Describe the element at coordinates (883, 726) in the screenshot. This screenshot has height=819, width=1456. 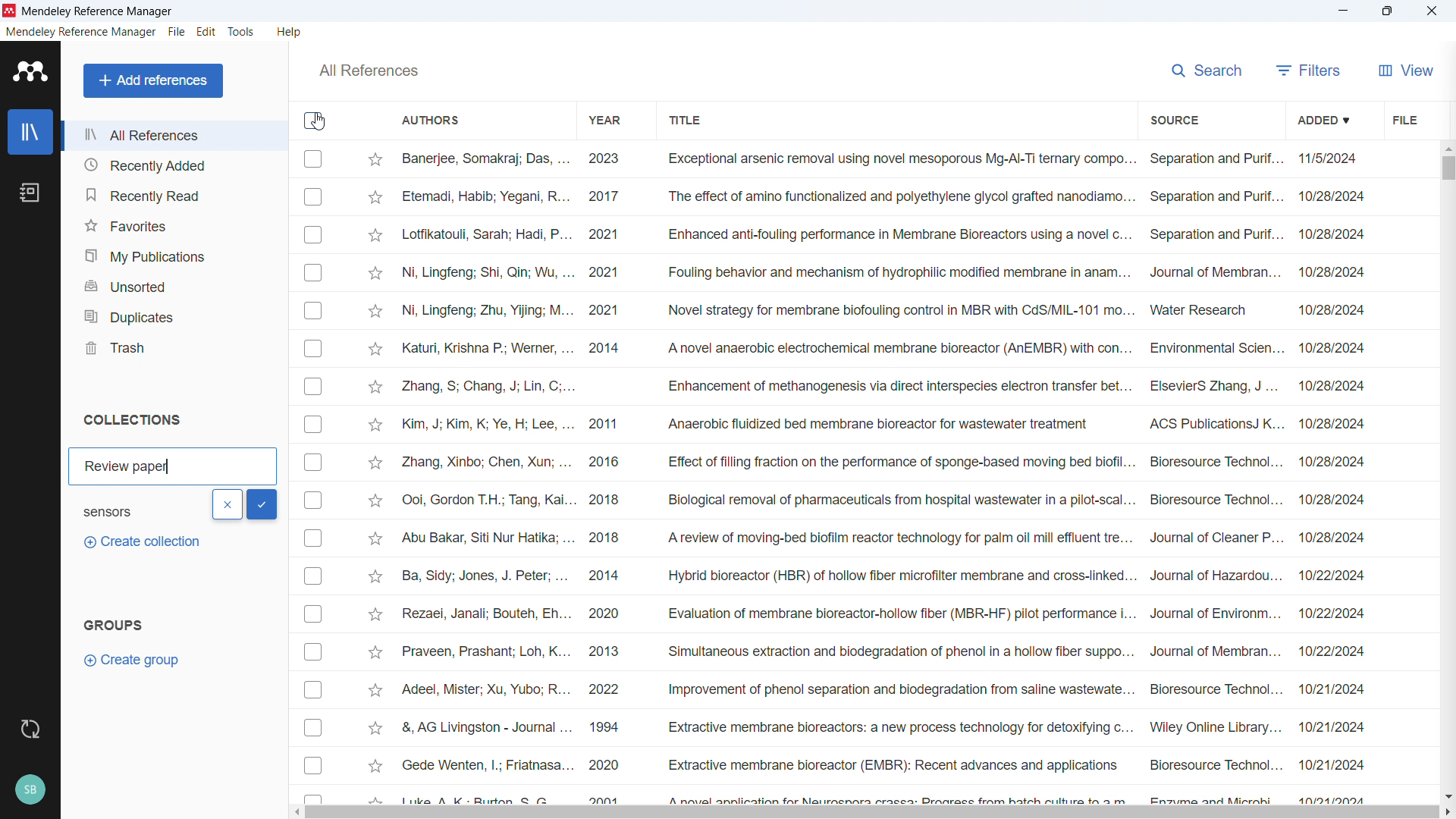
I see `&, AG Livingston - Journal ... 1994 Extractive membrane bioreactors: a new process technology for detoxifying c... Wiley Online Library... 10/21/2024` at that location.